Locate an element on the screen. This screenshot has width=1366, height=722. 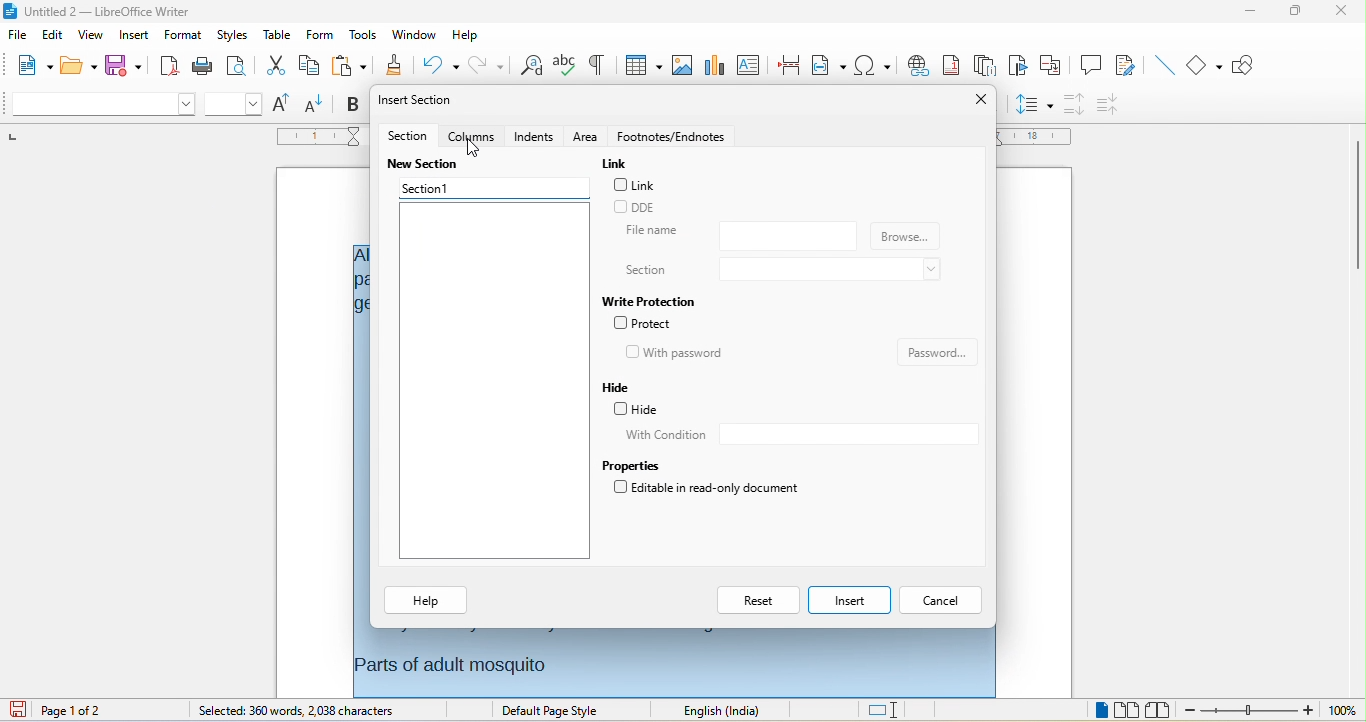
toggle formatting marks is located at coordinates (597, 63).